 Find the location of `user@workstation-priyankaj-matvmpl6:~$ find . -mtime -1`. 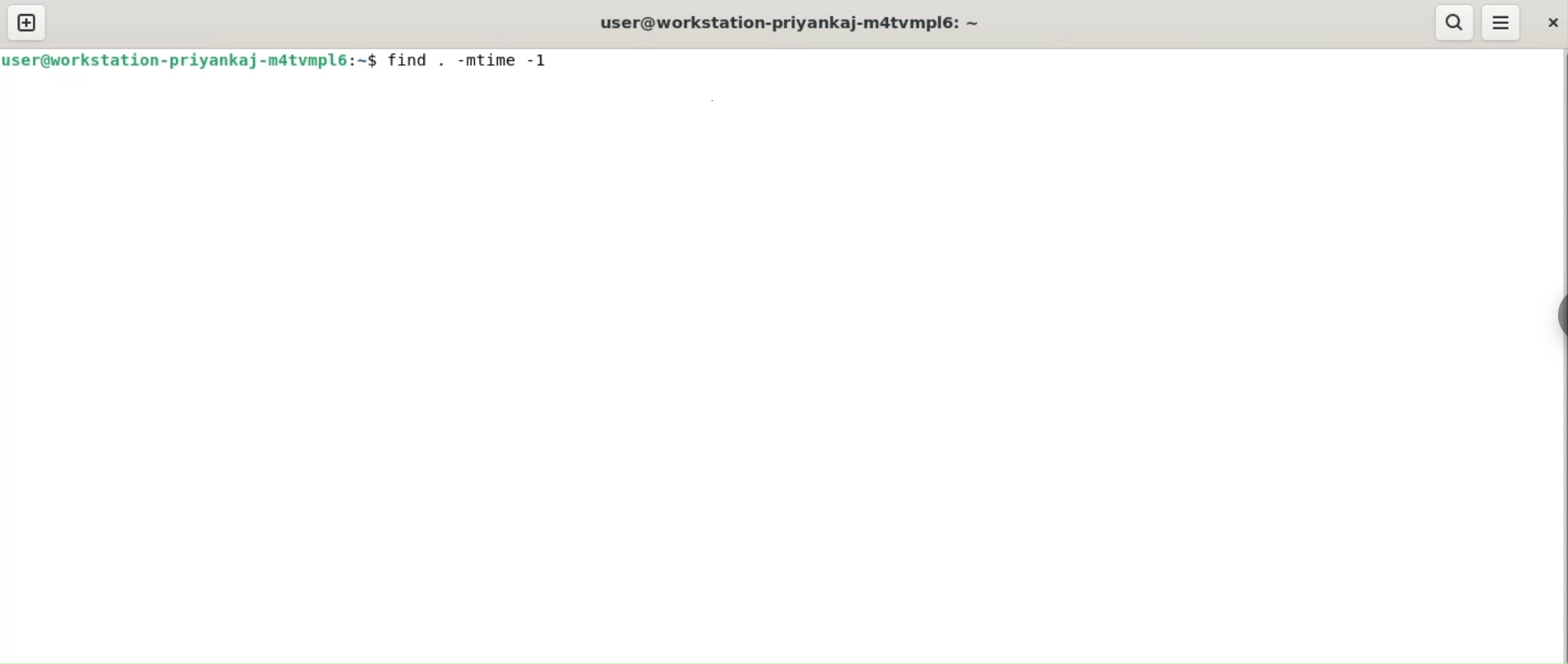

user@workstation-priyankaj-matvmpl6:~$ find . -mtime -1 is located at coordinates (286, 63).